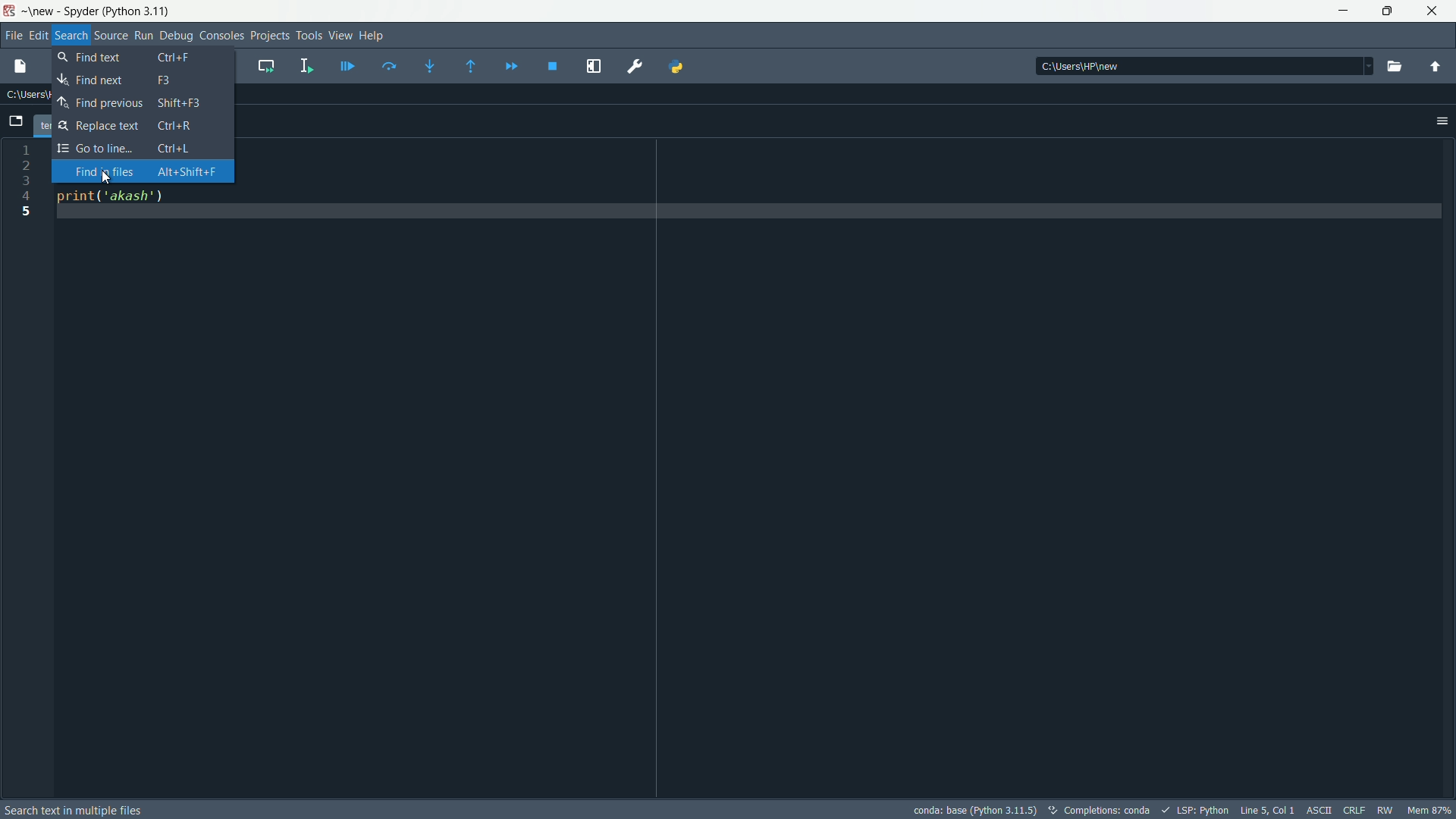 The height and width of the screenshot is (819, 1456). Describe the element at coordinates (146, 172) in the screenshot. I see `find in files` at that location.